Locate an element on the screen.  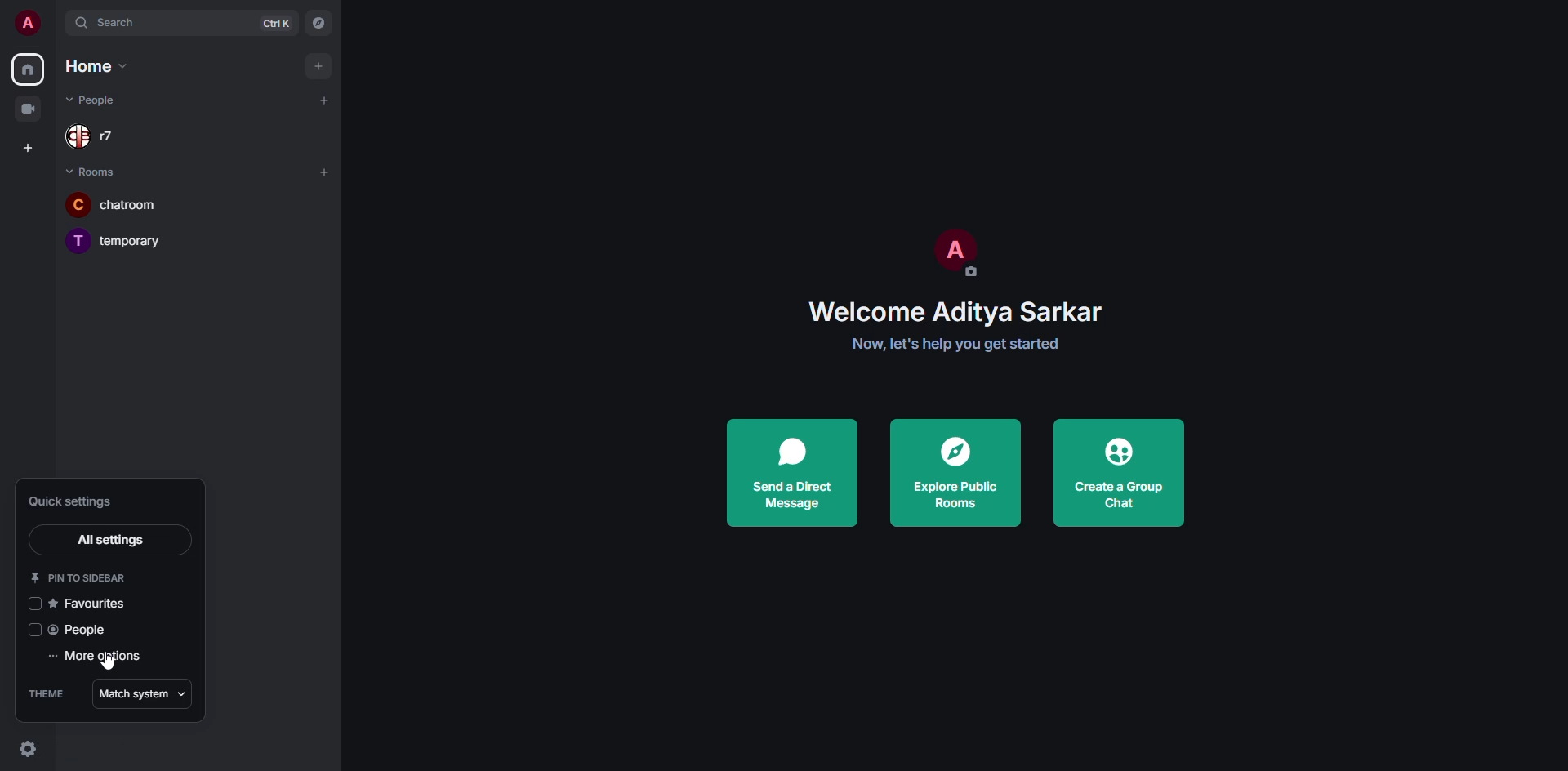
people is located at coordinates (104, 138).